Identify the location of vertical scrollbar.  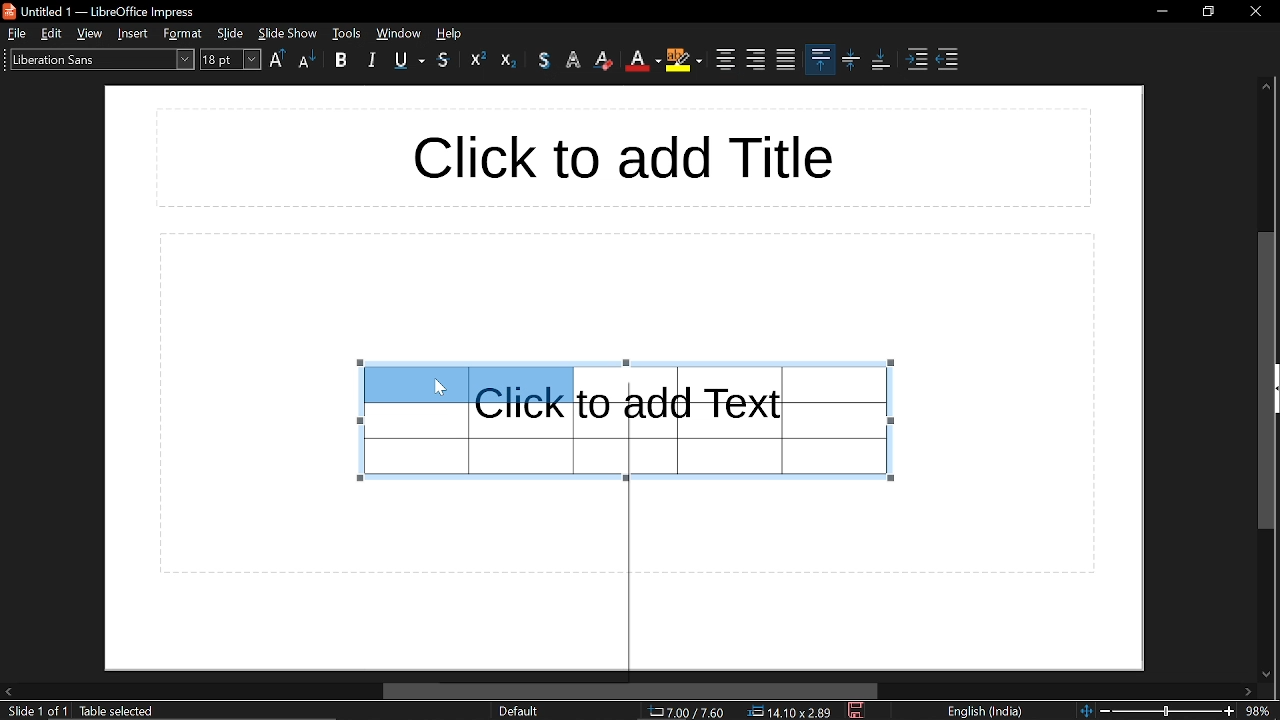
(1264, 380).